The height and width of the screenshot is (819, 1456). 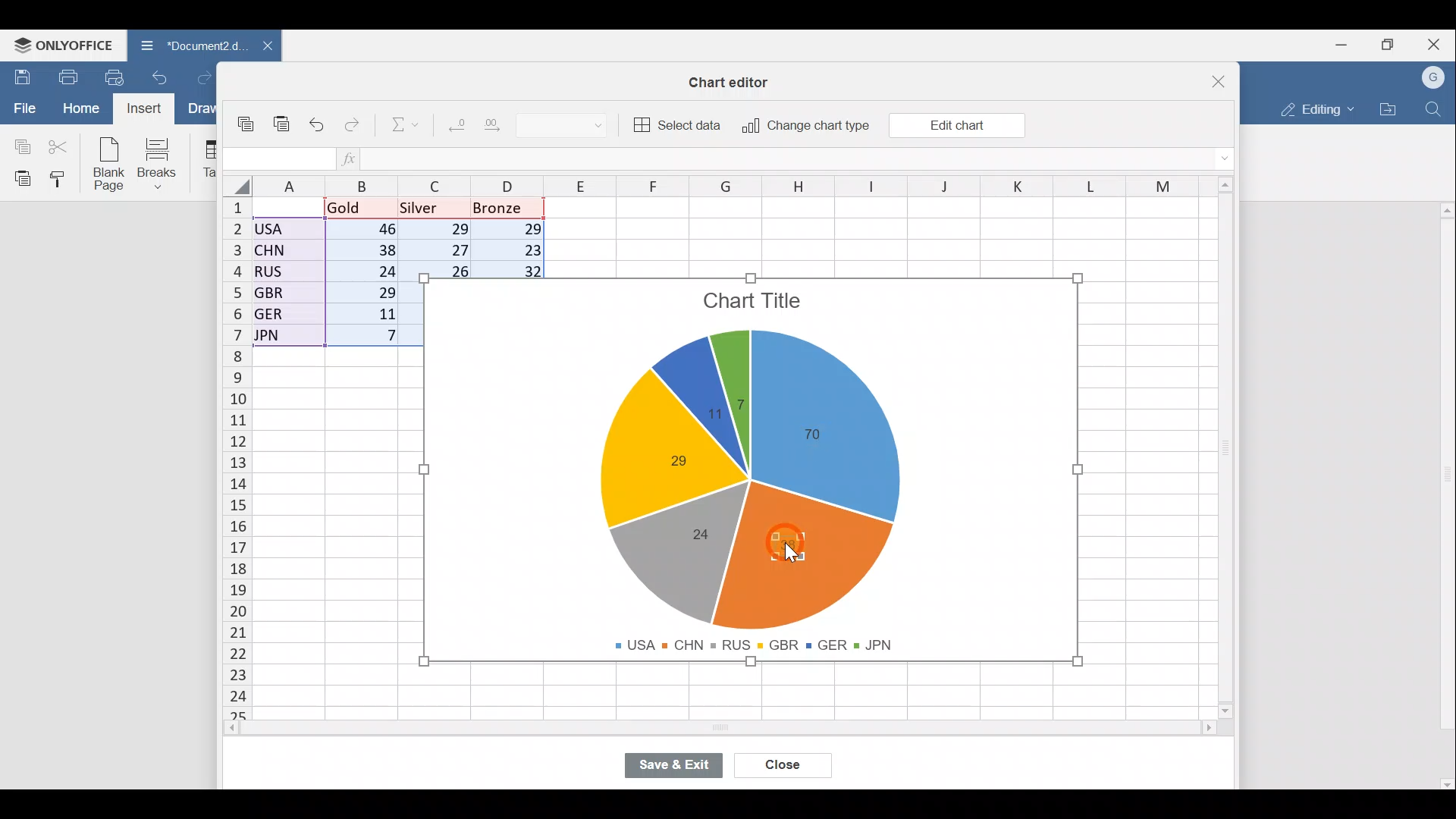 What do you see at coordinates (80, 108) in the screenshot?
I see `Home` at bounding box center [80, 108].